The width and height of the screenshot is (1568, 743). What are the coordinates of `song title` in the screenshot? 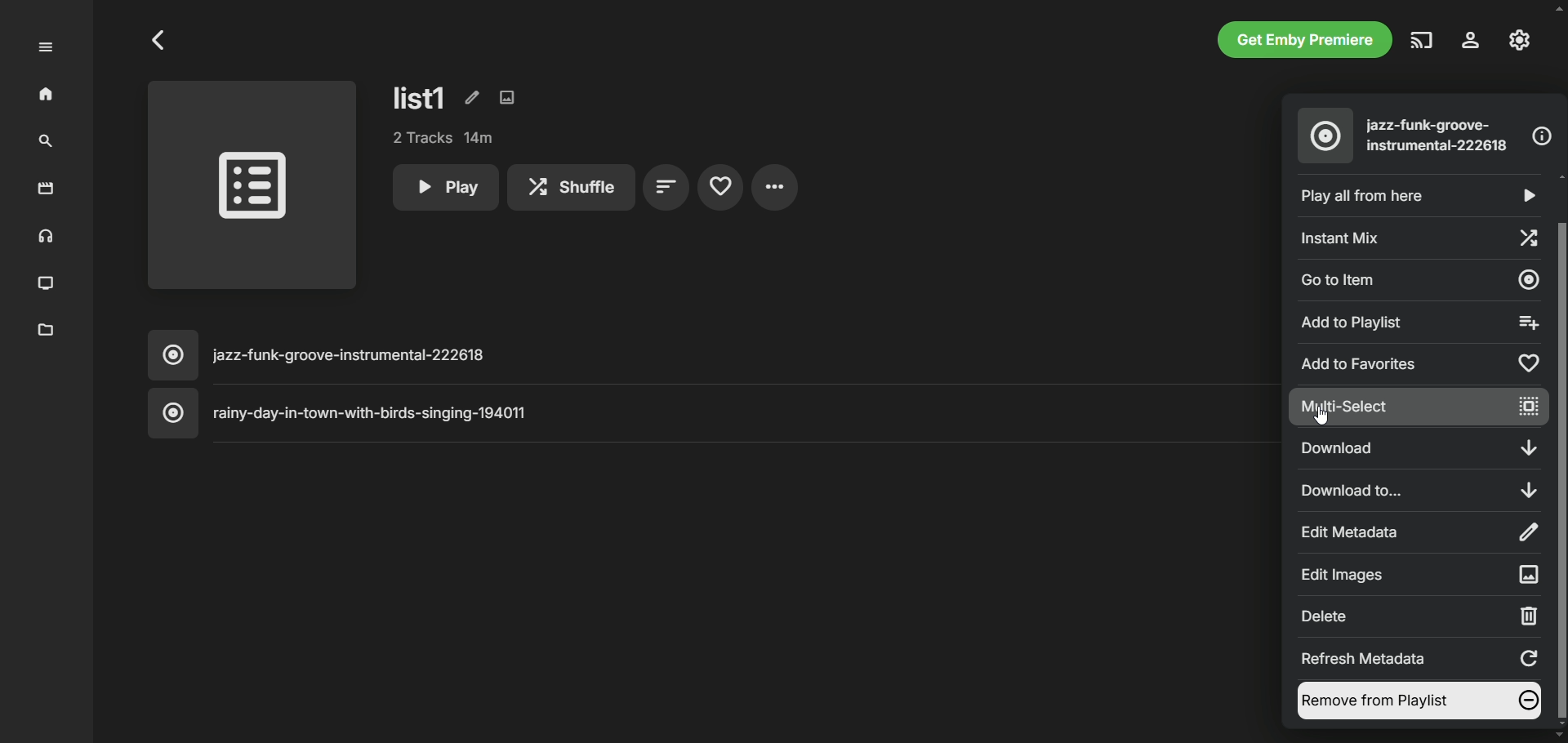 It's located at (1440, 136).